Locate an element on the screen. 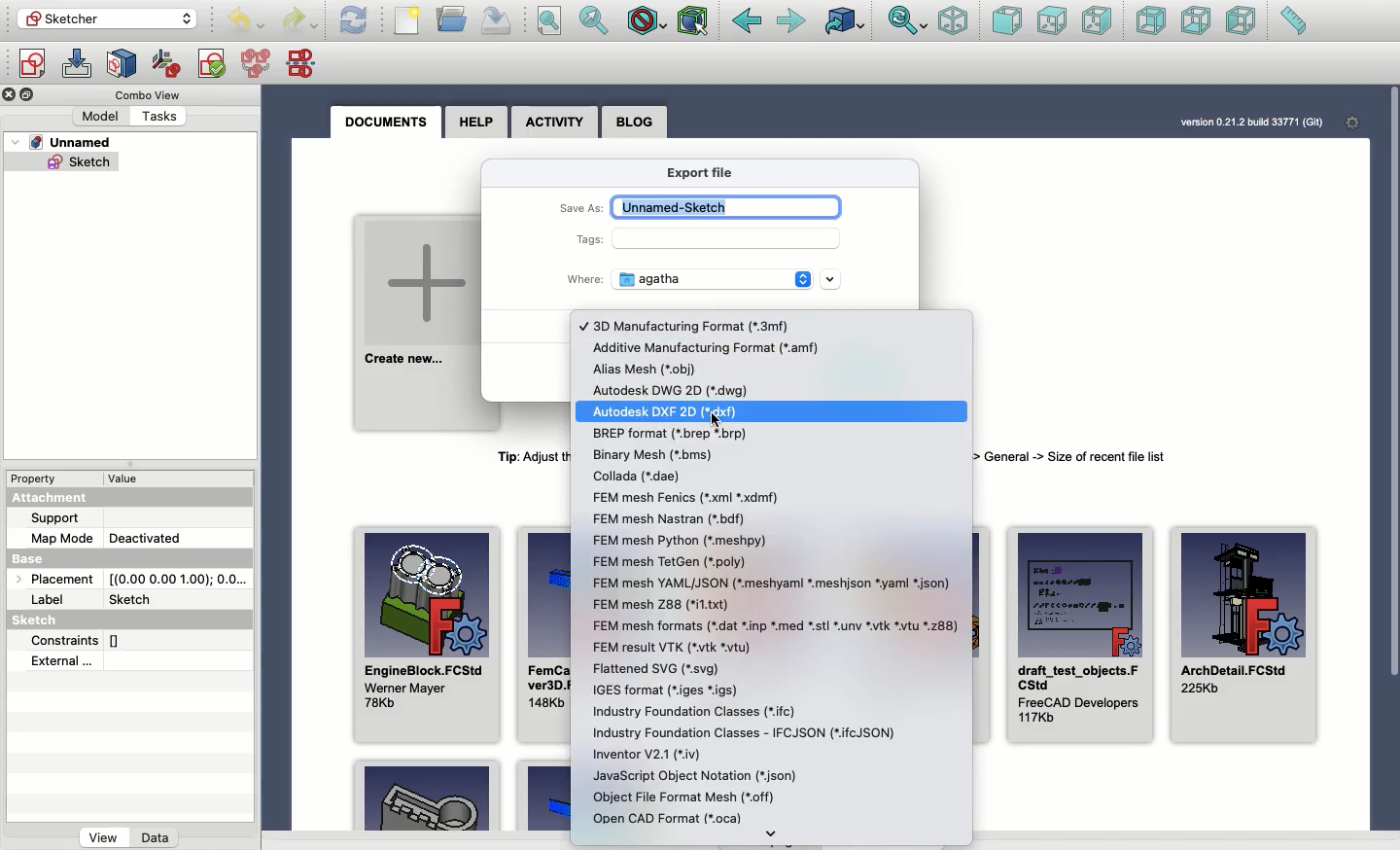  value is located at coordinates (127, 479).